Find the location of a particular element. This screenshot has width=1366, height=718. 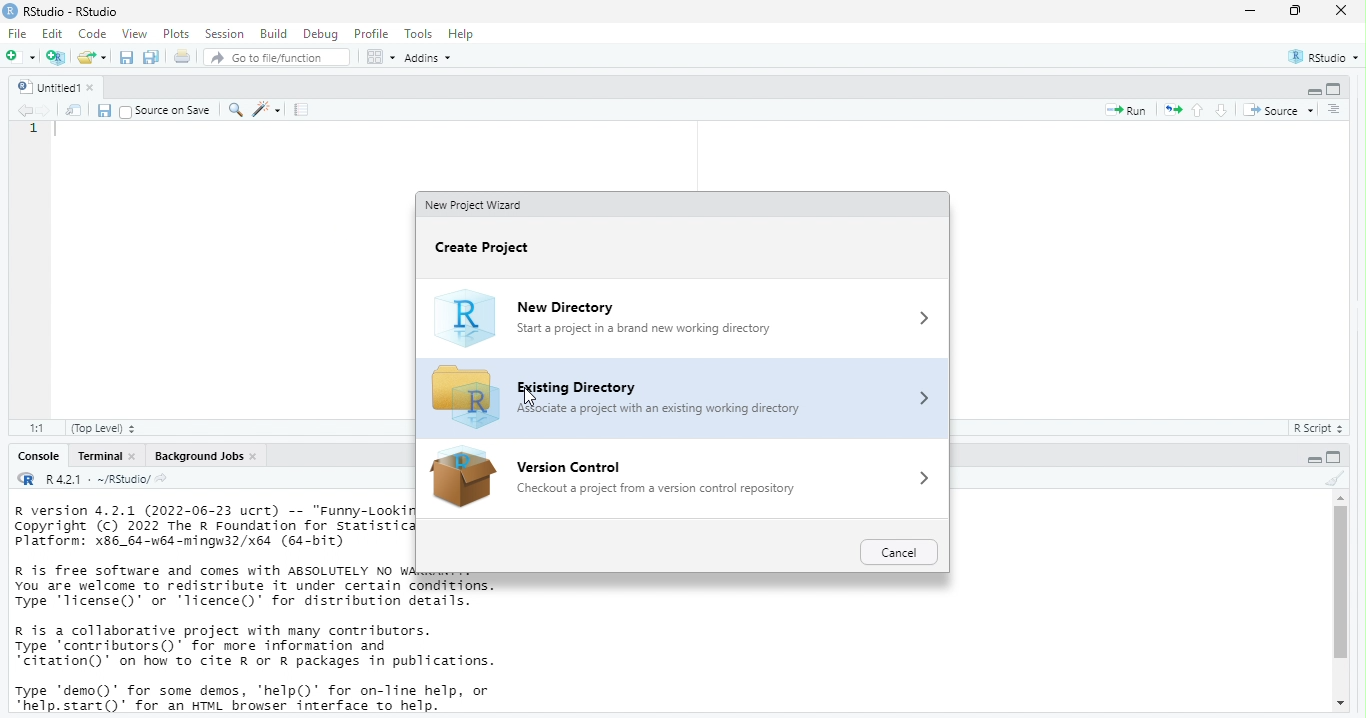

view is located at coordinates (133, 34).